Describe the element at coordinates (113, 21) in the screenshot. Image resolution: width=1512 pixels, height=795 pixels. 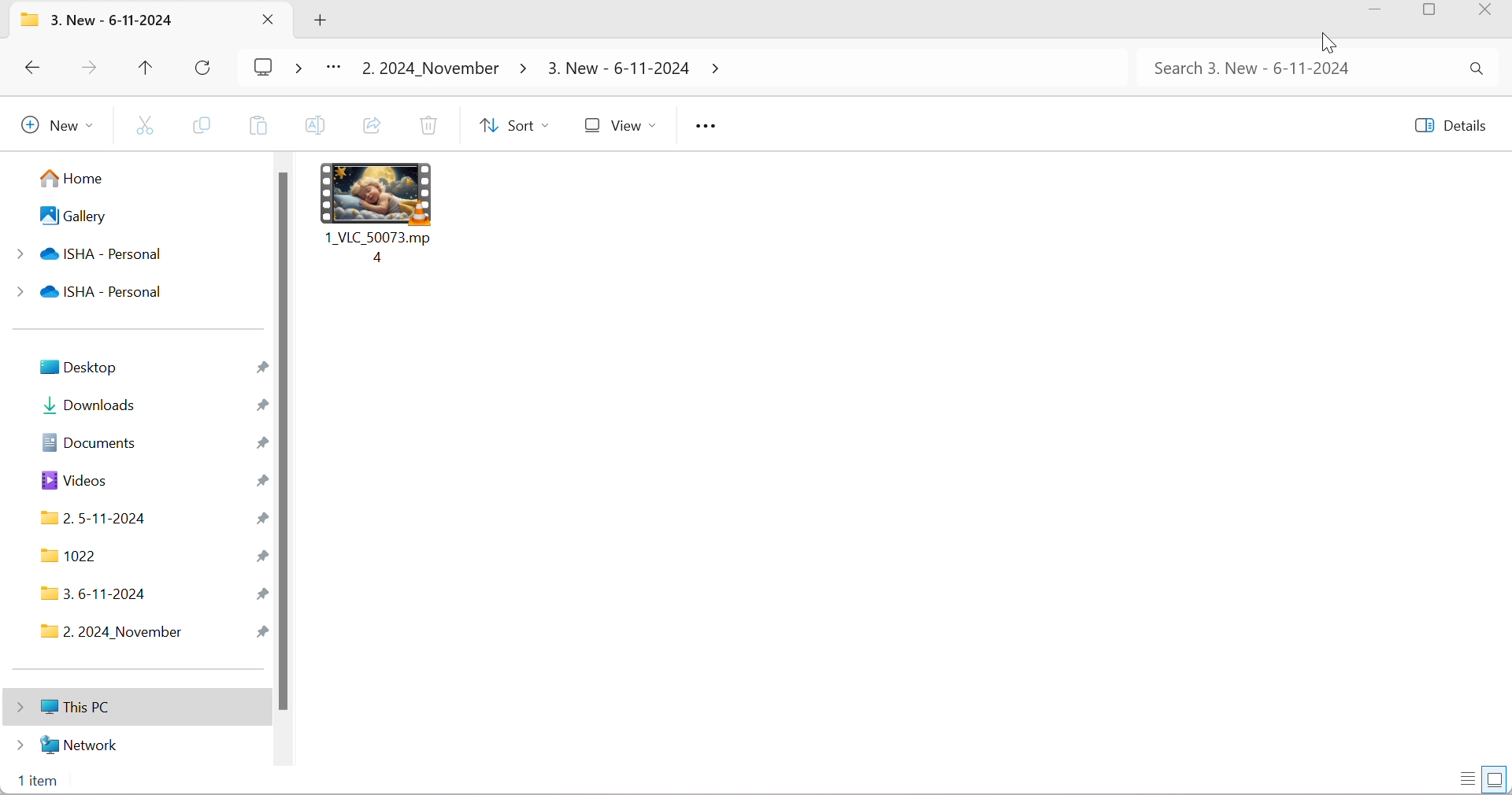
I see `3. New - 6-11-2024` at that location.